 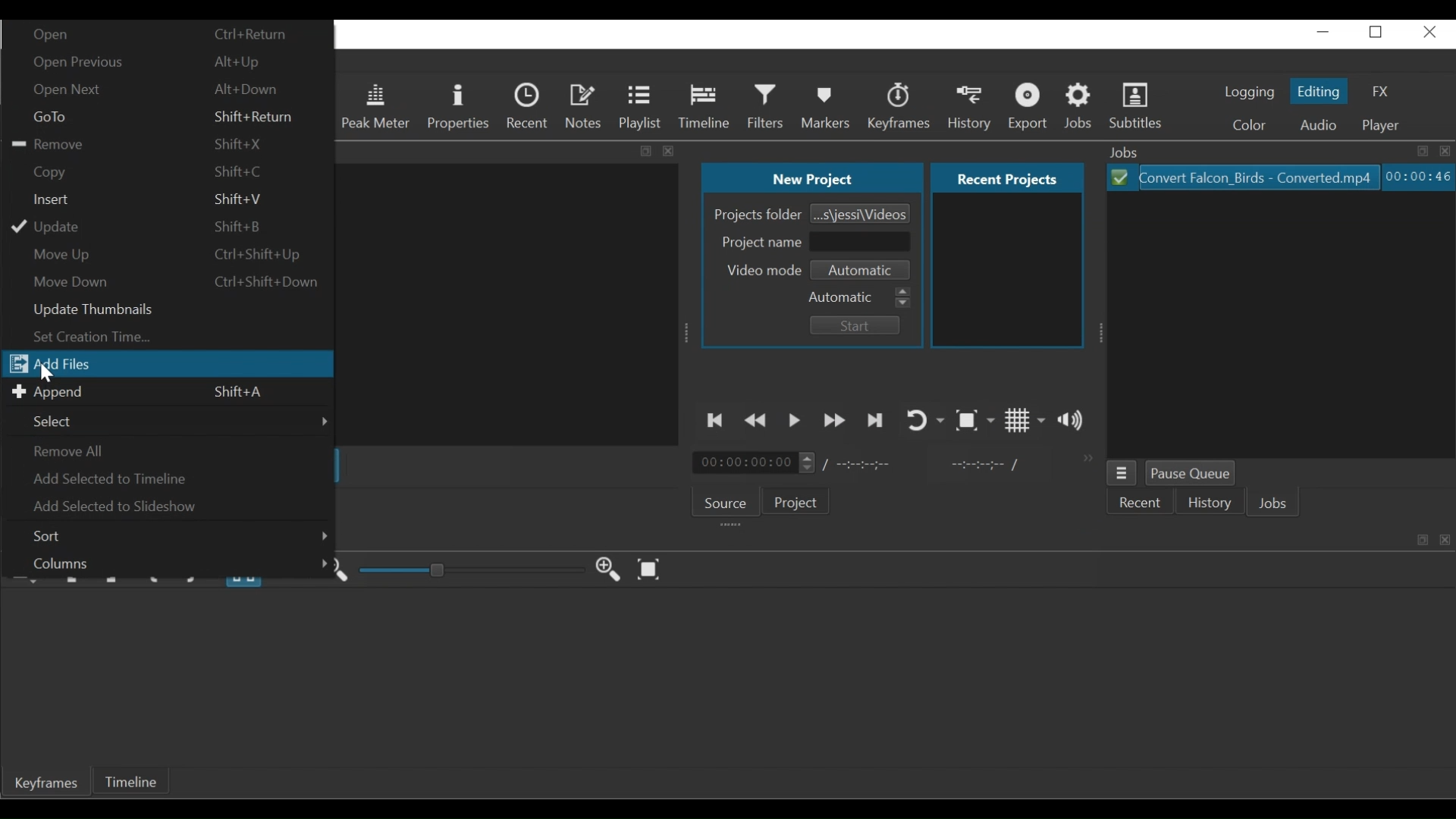 I want to click on History, so click(x=1210, y=500).